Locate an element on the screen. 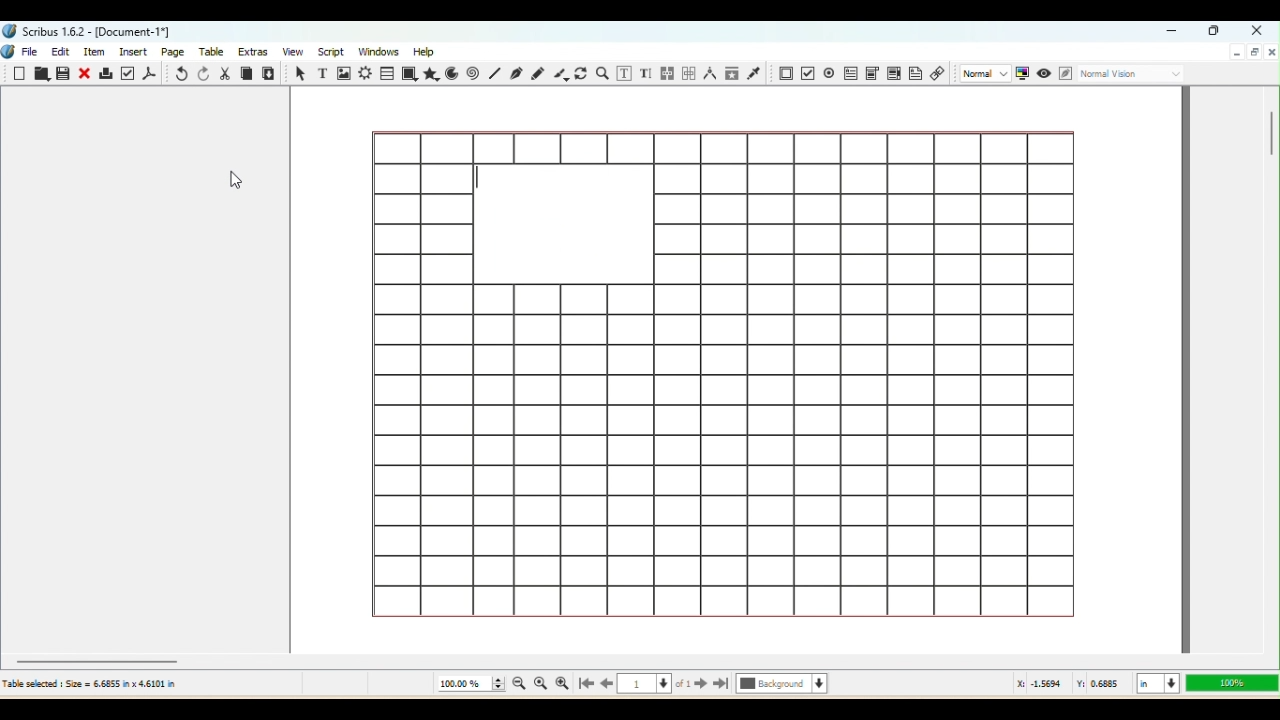 This screenshot has width=1280, height=720. Copy is located at coordinates (246, 73).